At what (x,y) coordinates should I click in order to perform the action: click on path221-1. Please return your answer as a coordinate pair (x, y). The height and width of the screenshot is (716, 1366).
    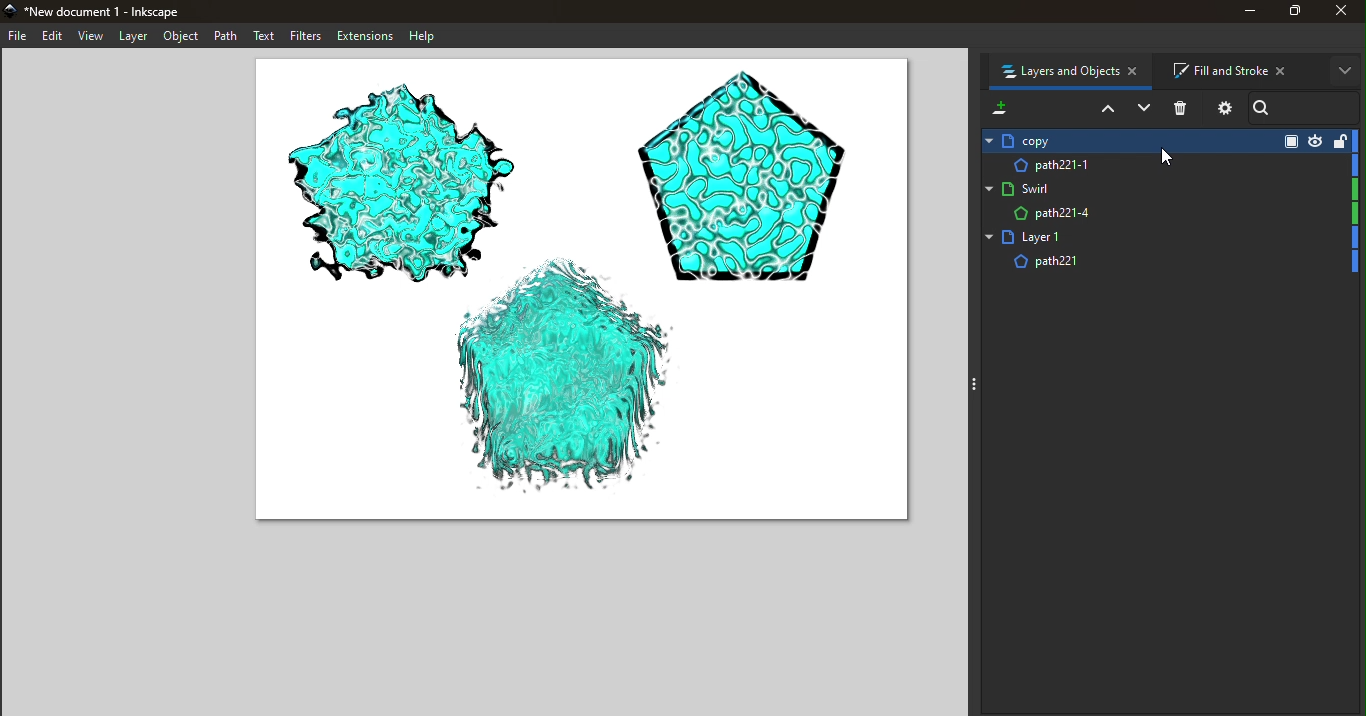
    Looking at the image, I should click on (1165, 163).